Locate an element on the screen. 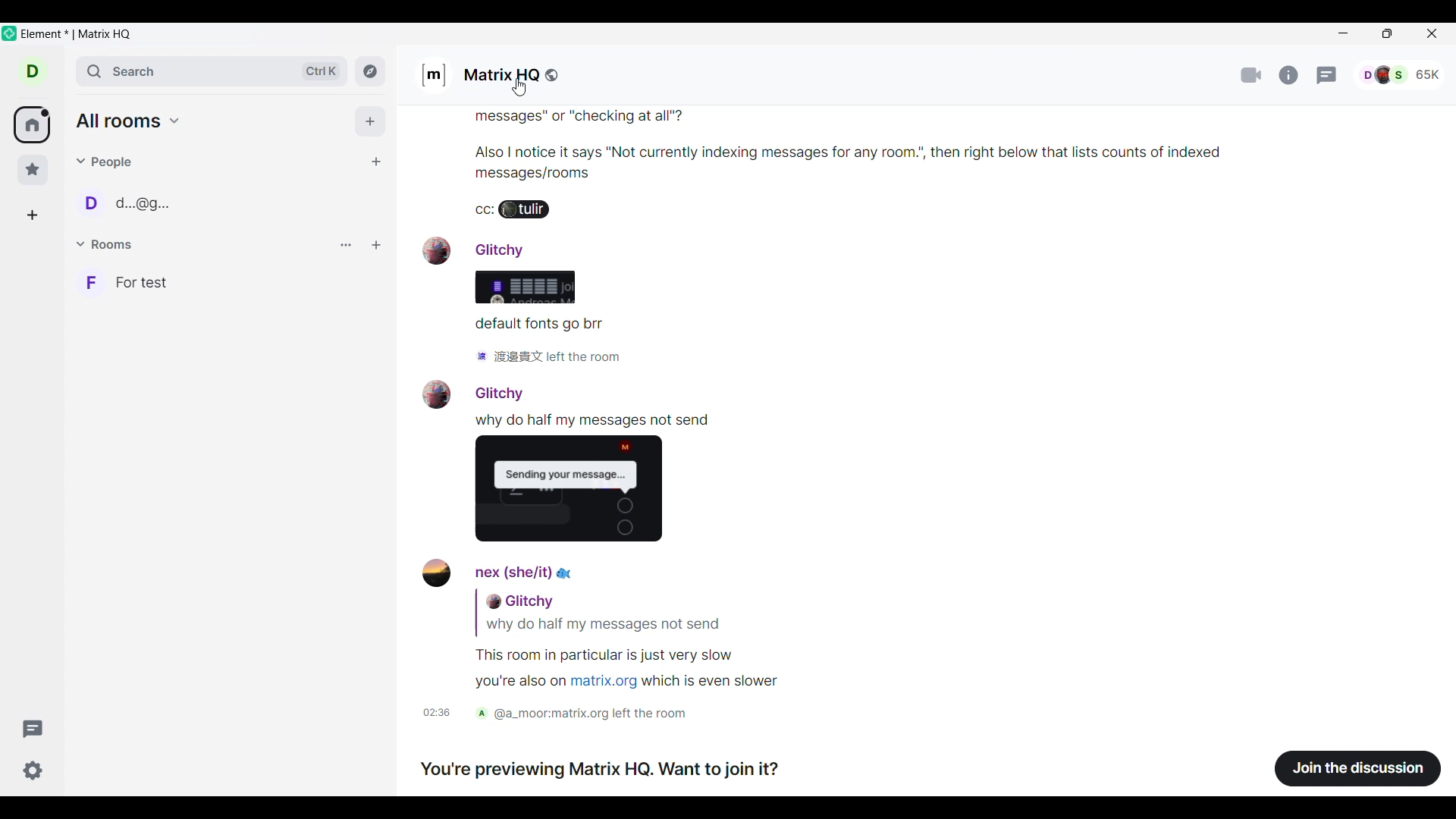  room options is located at coordinates (376, 246).